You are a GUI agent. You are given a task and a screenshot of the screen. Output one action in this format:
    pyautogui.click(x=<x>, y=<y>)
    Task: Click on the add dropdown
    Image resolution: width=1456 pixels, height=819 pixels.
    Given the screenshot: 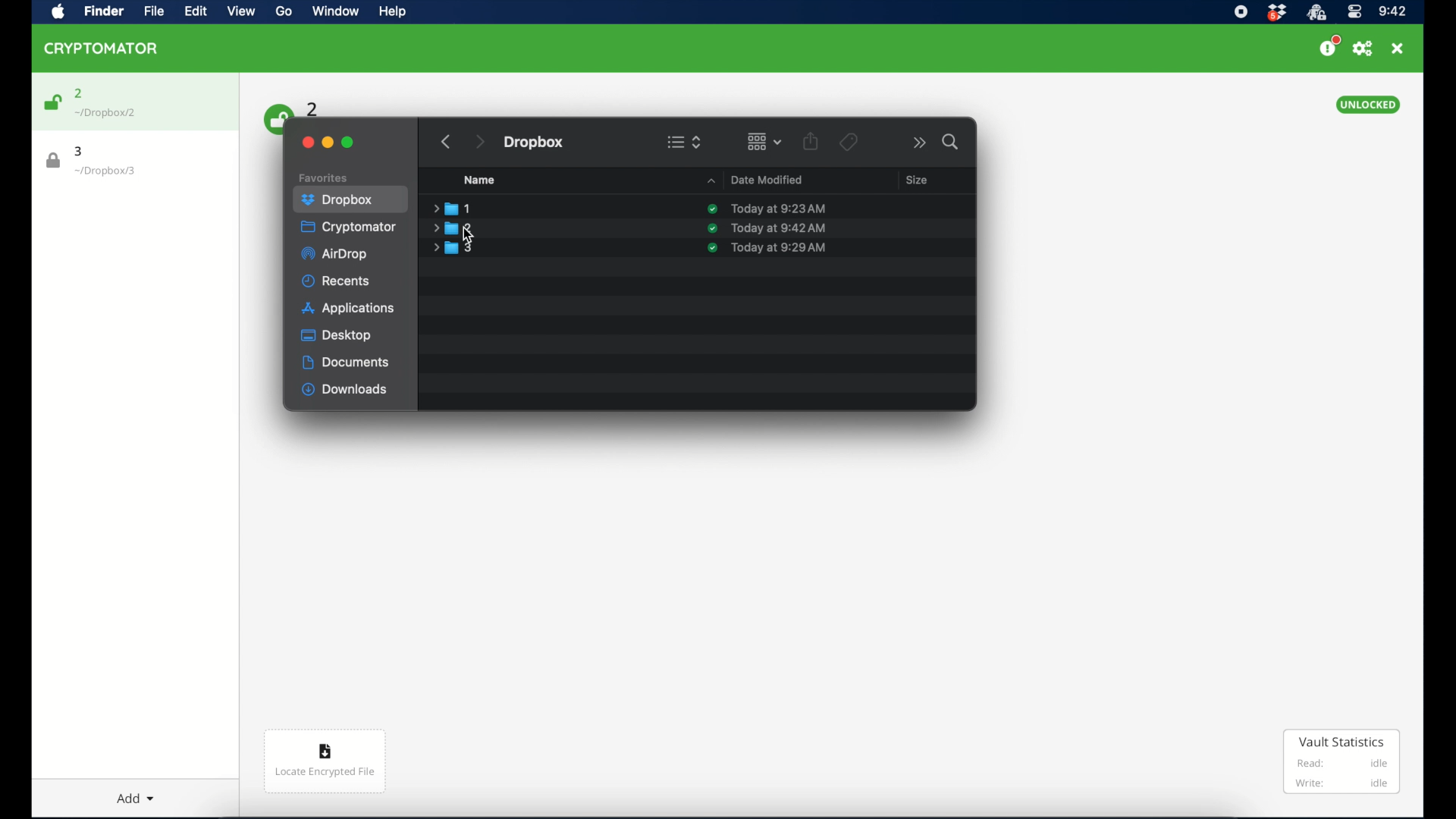 What is the action you would take?
    pyautogui.click(x=129, y=792)
    